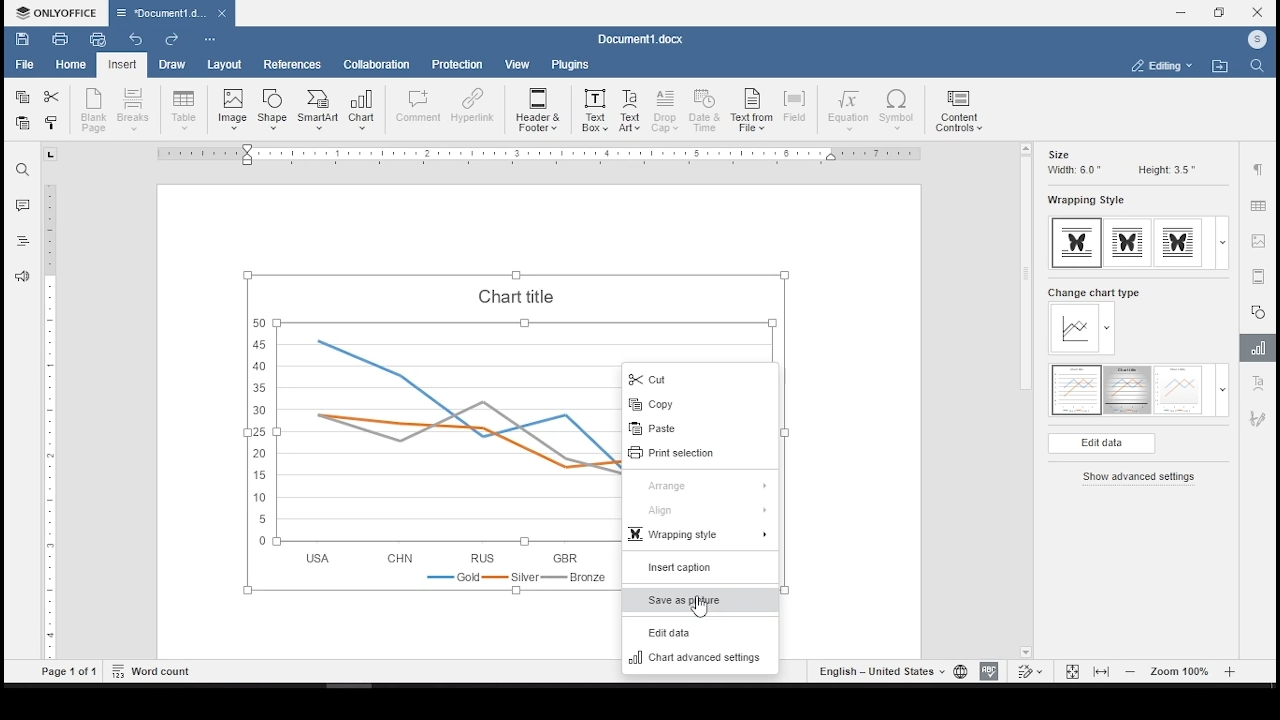 The width and height of the screenshot is (1280, 720). I want to click on edit data, so click(701, 634).